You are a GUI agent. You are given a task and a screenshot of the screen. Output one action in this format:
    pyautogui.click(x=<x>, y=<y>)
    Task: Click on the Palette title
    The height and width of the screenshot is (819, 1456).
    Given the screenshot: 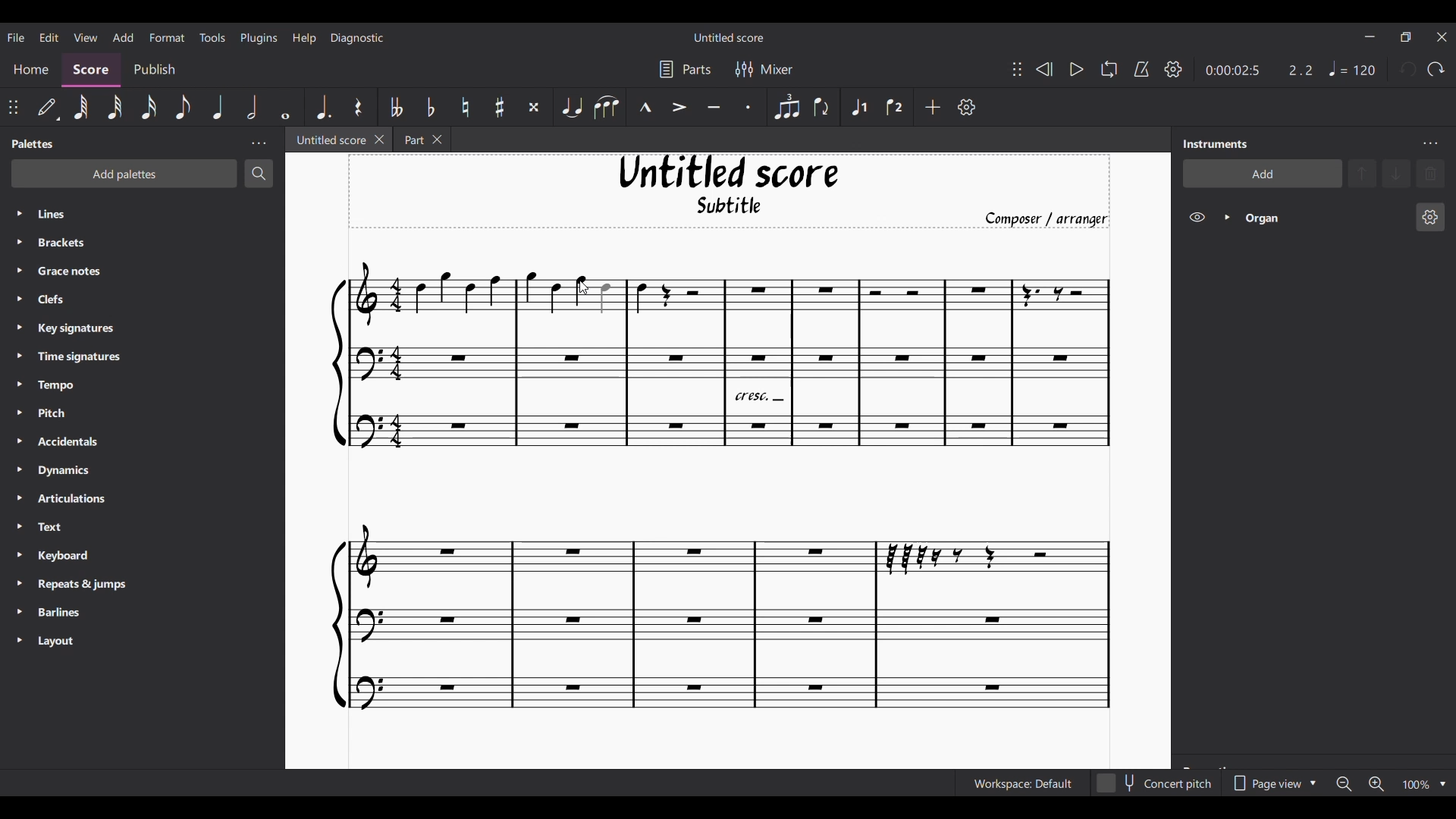 What is the action you would take?
    pyautogui.click(x=33, y=143)
    